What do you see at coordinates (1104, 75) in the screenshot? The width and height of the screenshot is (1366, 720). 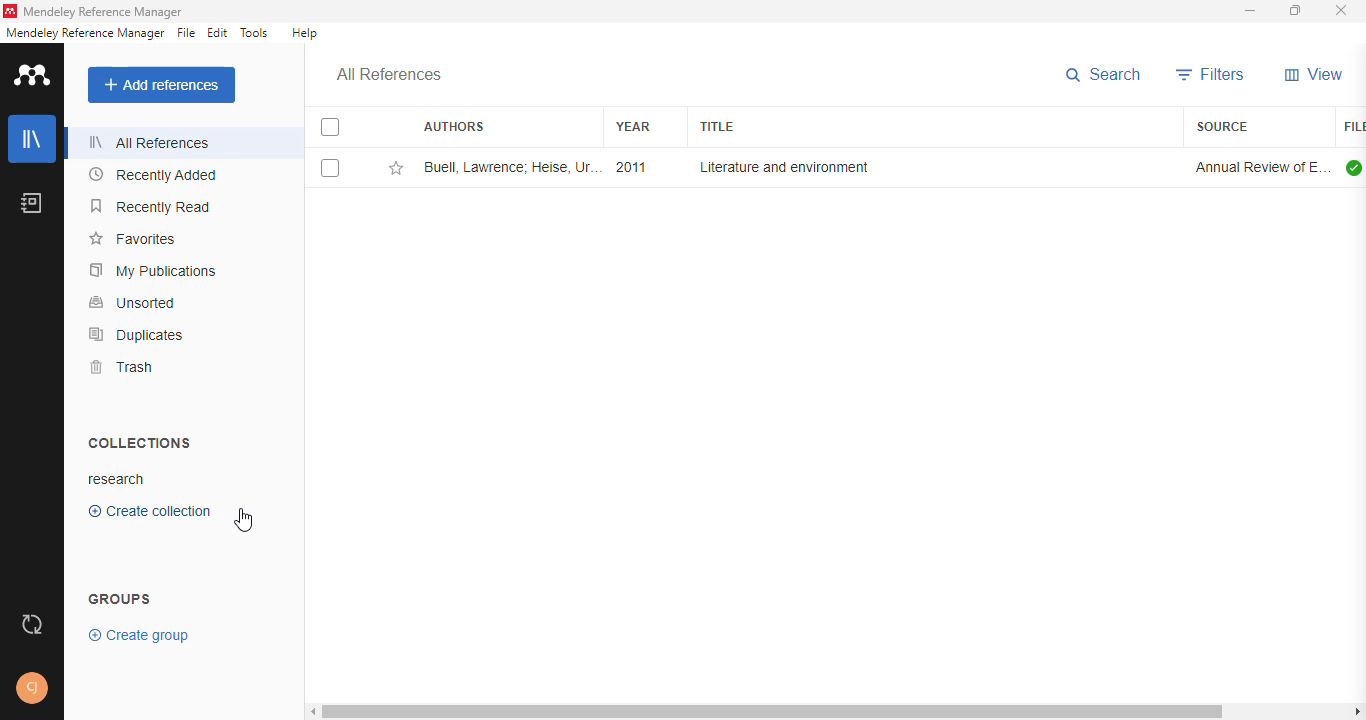 I see `search` at bounding box center [1104, 75].